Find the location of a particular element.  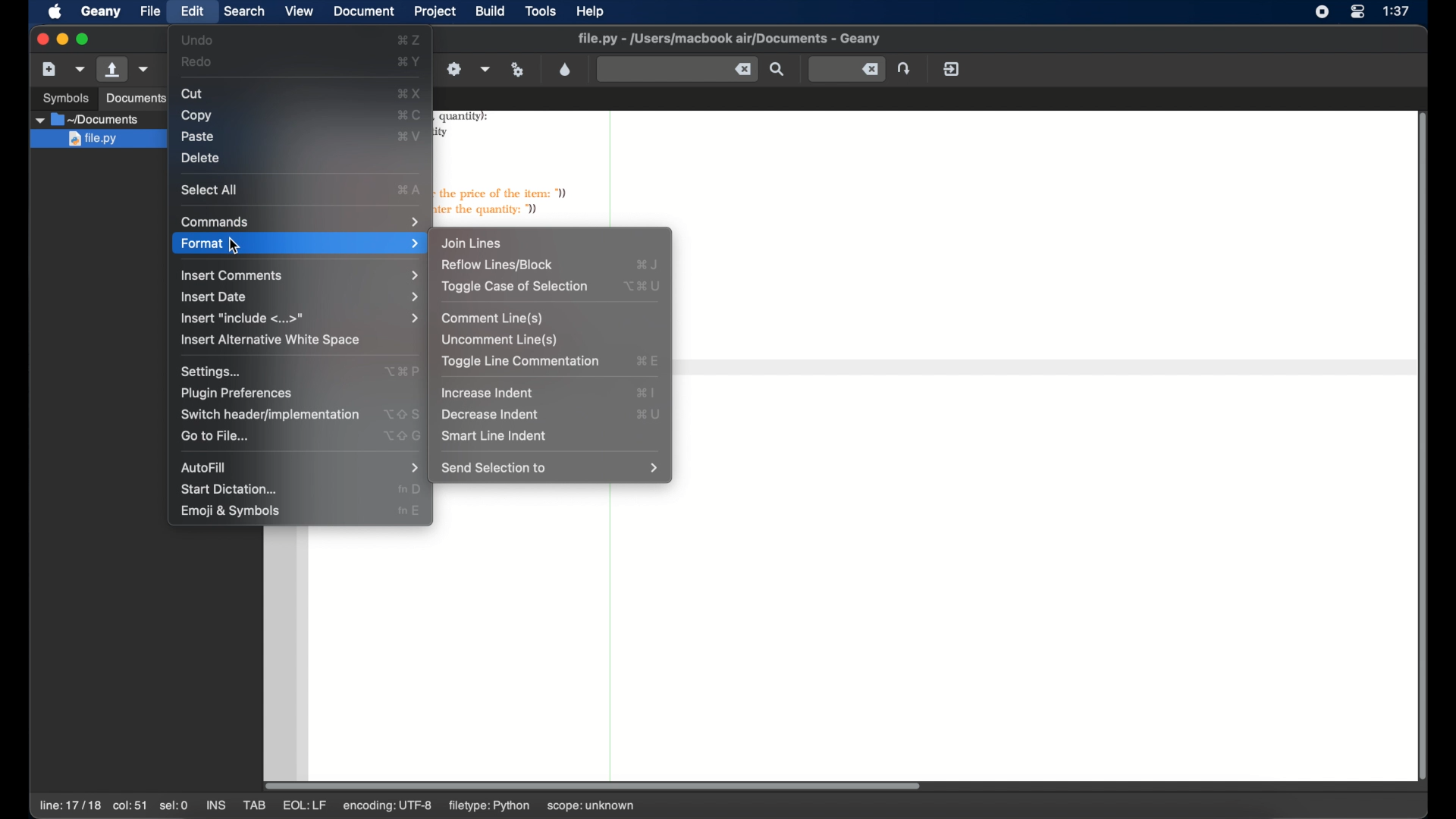

start dictation is located at coordinates (227, 490).